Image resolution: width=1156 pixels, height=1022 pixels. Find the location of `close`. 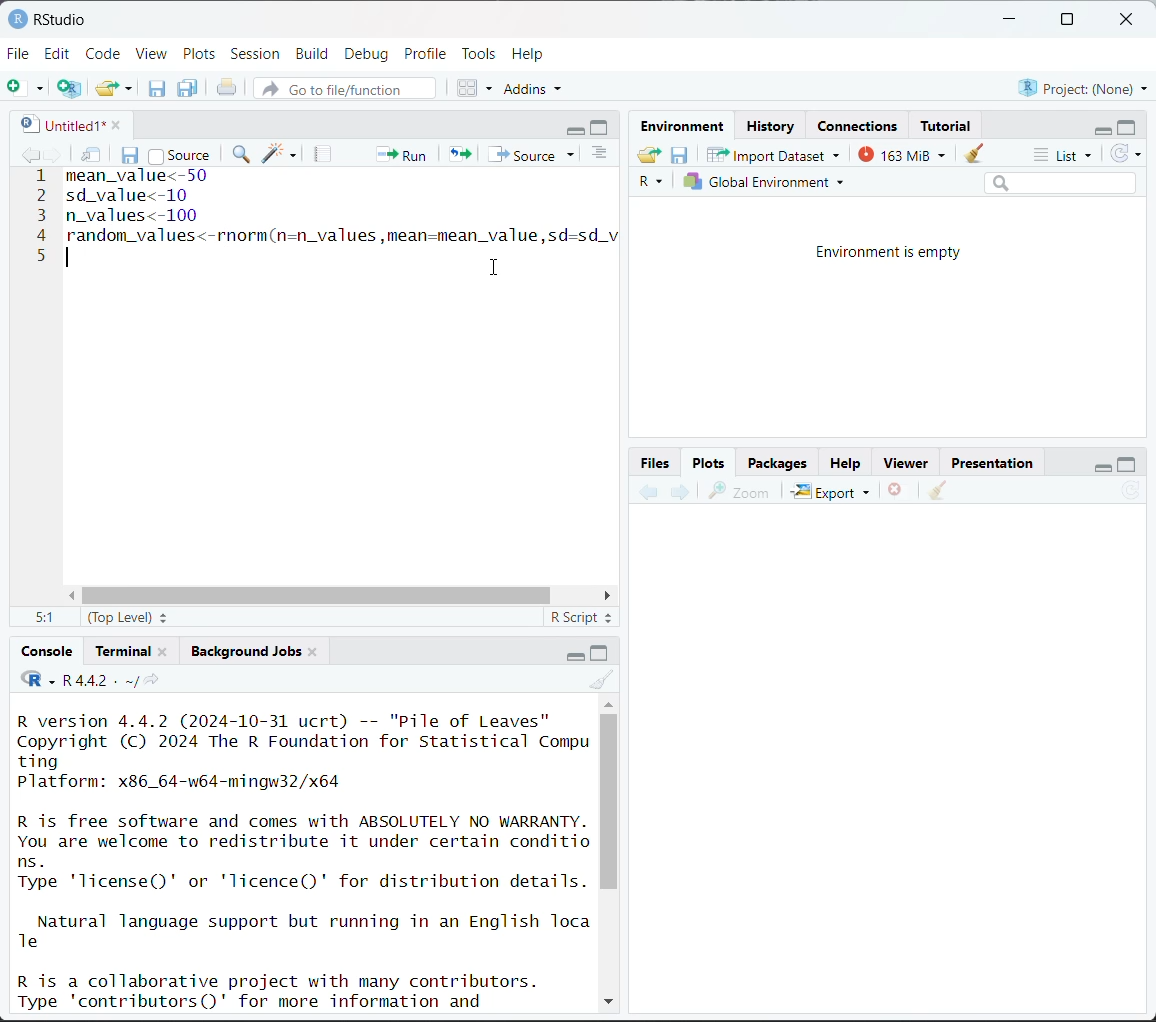

close is located at coordinates (111, 123).